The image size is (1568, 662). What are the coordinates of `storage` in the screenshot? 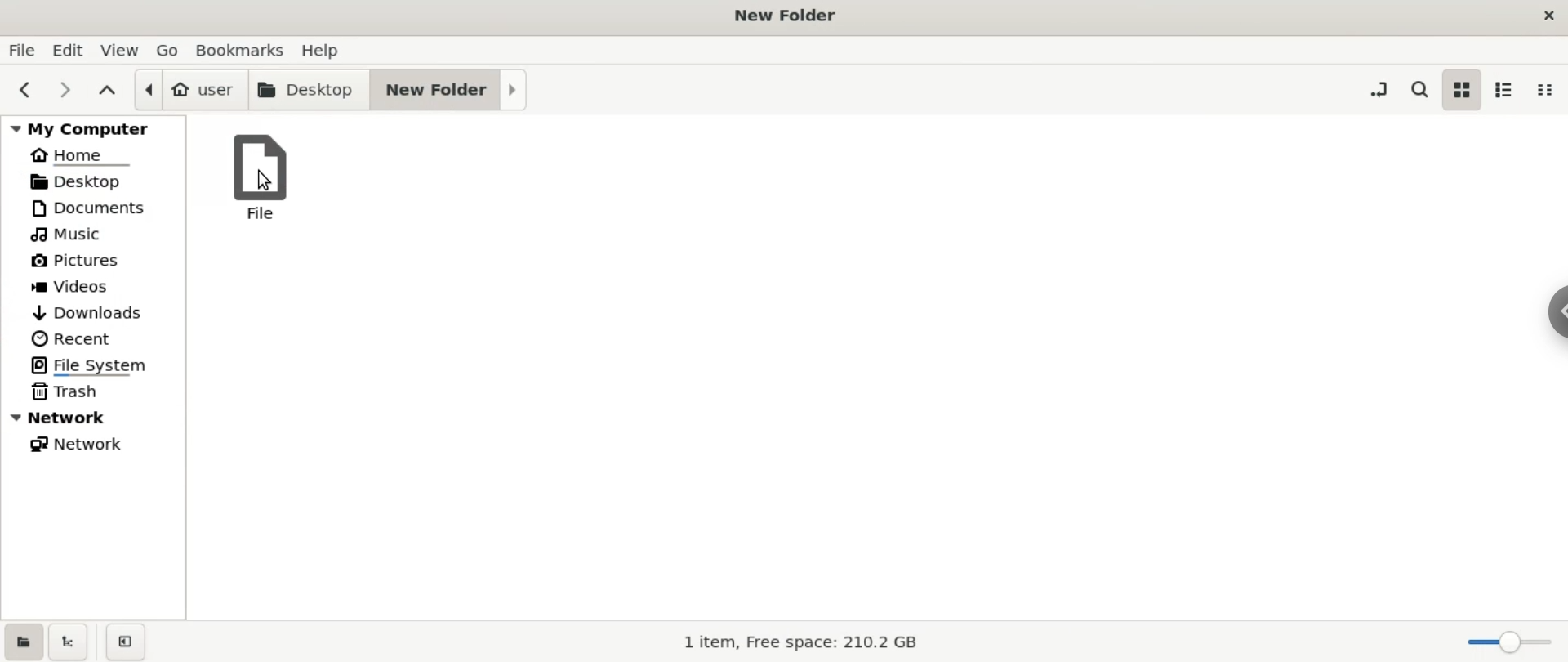 It's located at (805, 642).